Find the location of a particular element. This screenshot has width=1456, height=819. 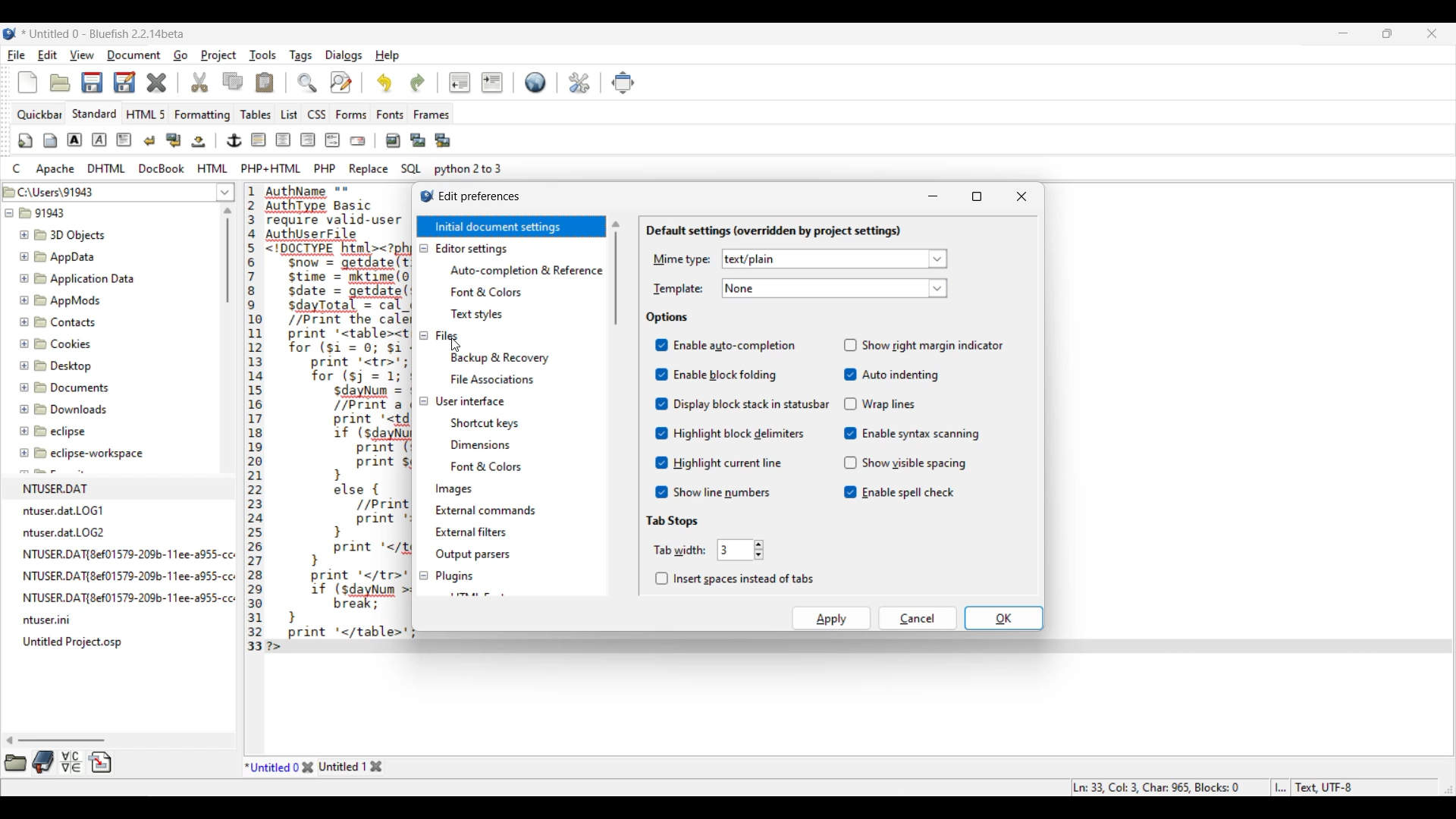

Plugins is located at coordinates (455, 574).